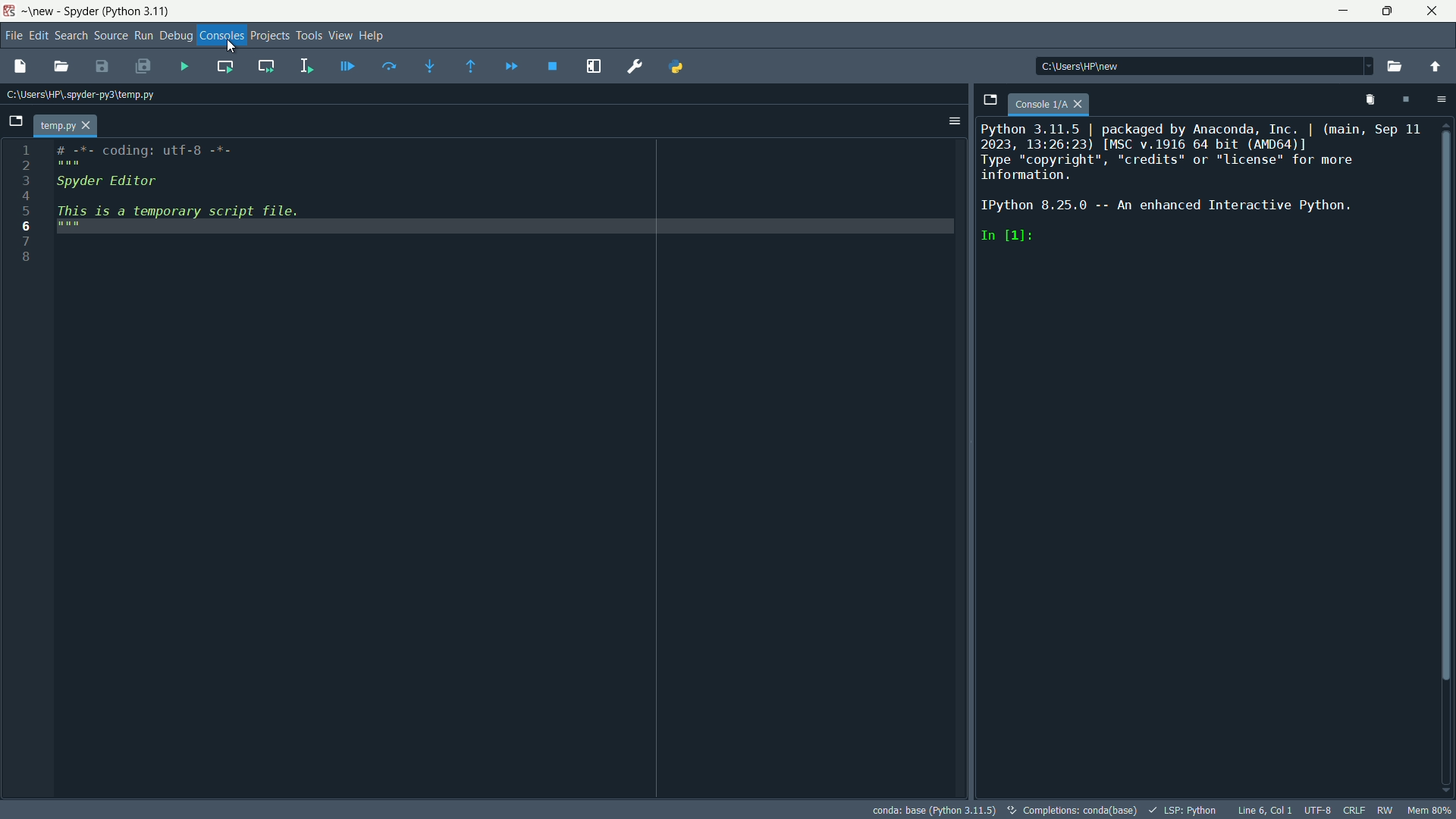 The height and width of the screenshot is (819, 1456). What do you see at coordinates (1185, 809) in the screenshot?
I see `lsp:python` at bounding box center [1185, 809].